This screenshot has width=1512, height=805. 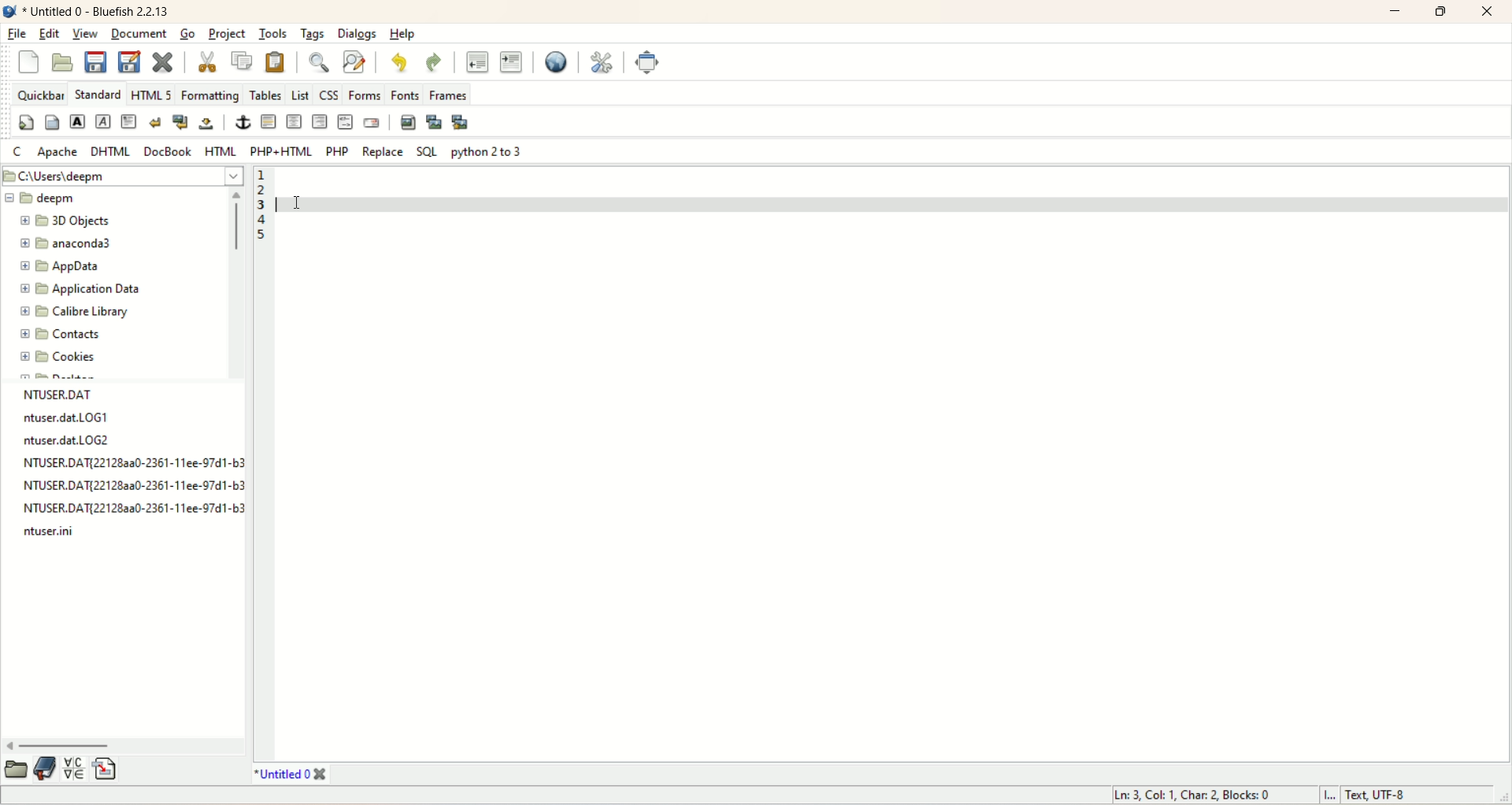 What do you see at coordinates (302, 95) in the screenshot?
I see `LIST` at bounding box center [302, 95].